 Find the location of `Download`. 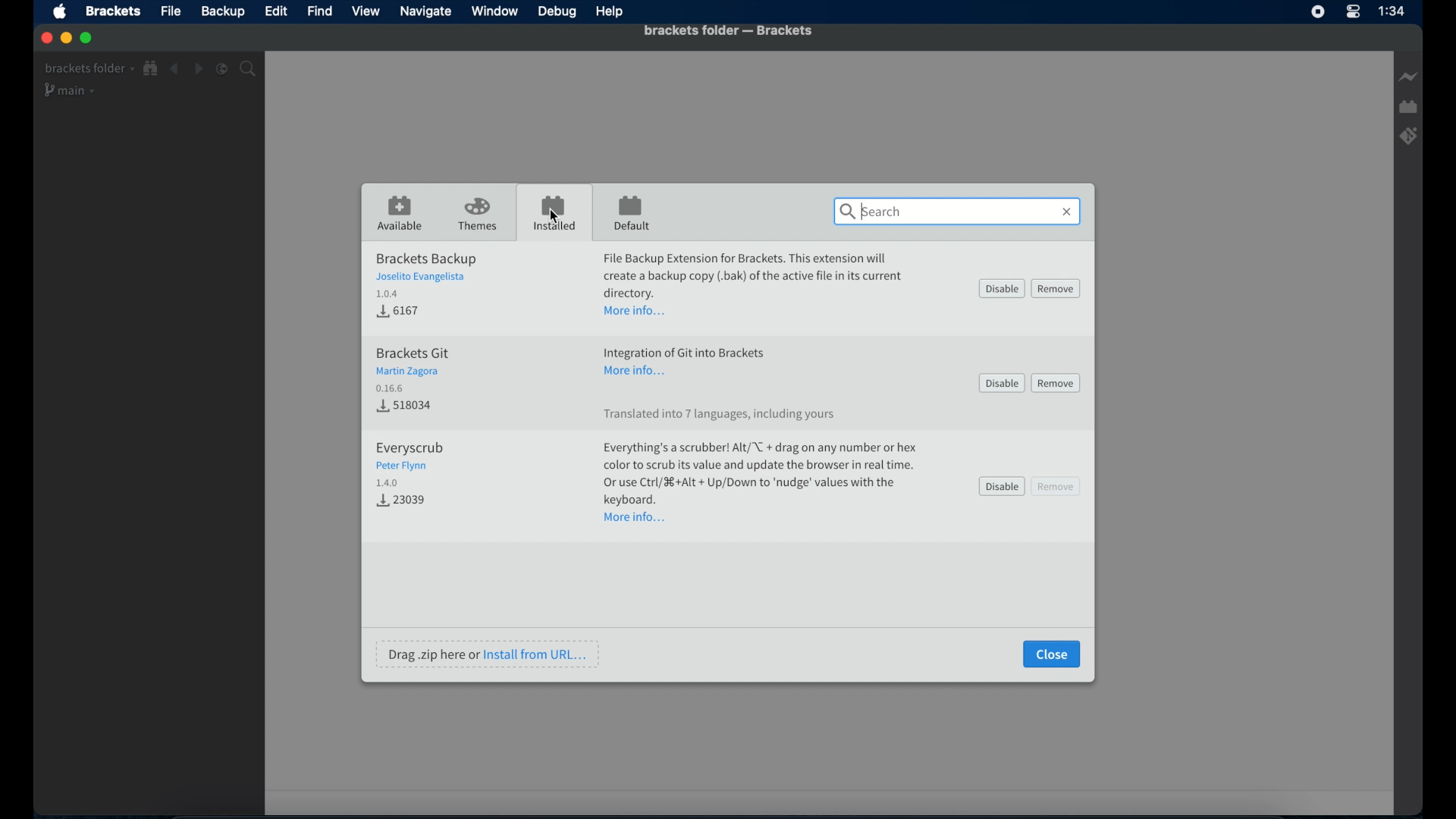

Download is located at coordinates (408, 409).